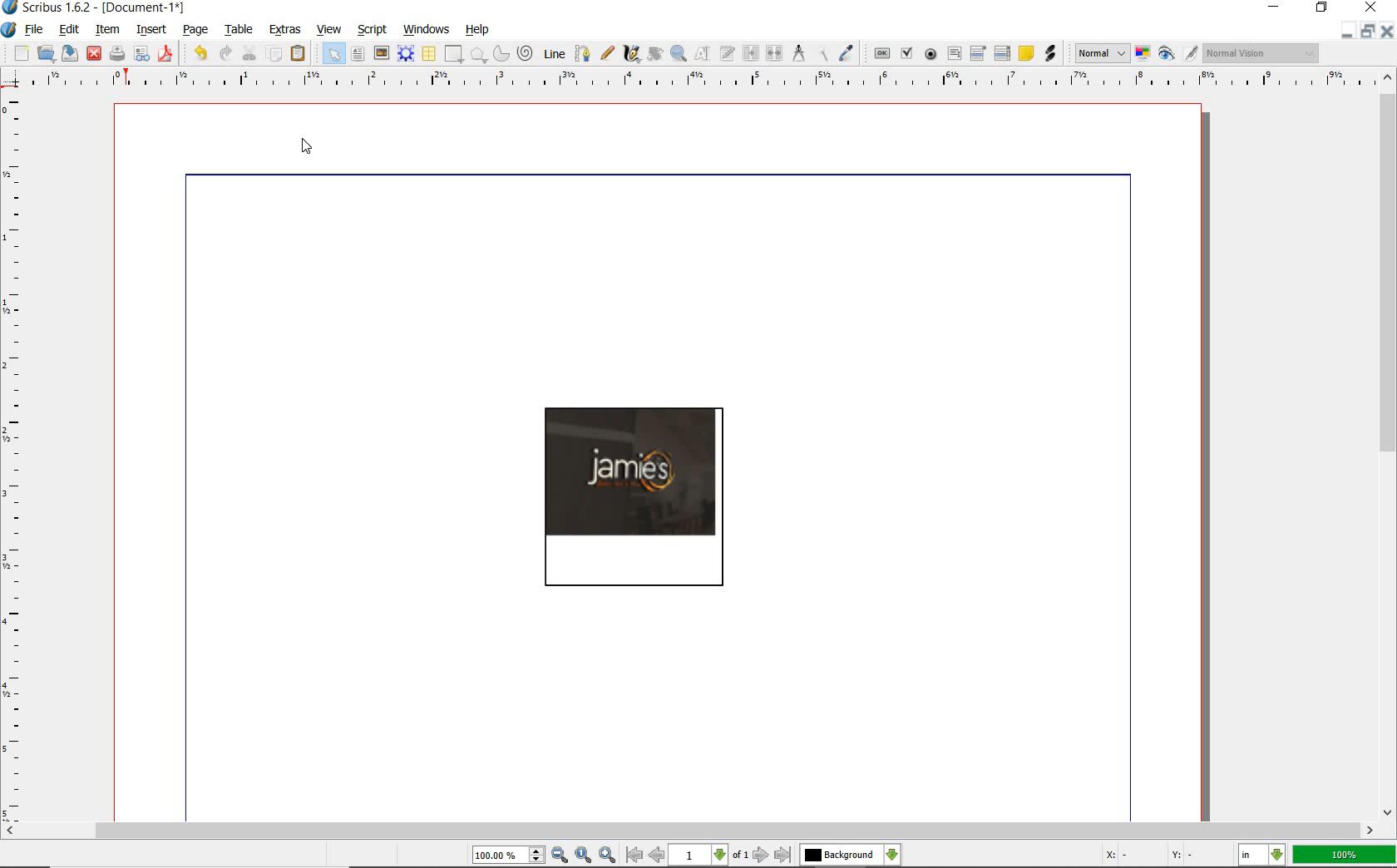 Image resolution: width=1397 pixels, height=868 pixels. Describe the element at coordinates (1374, 7) in the screenshot. I see `close` at that location.